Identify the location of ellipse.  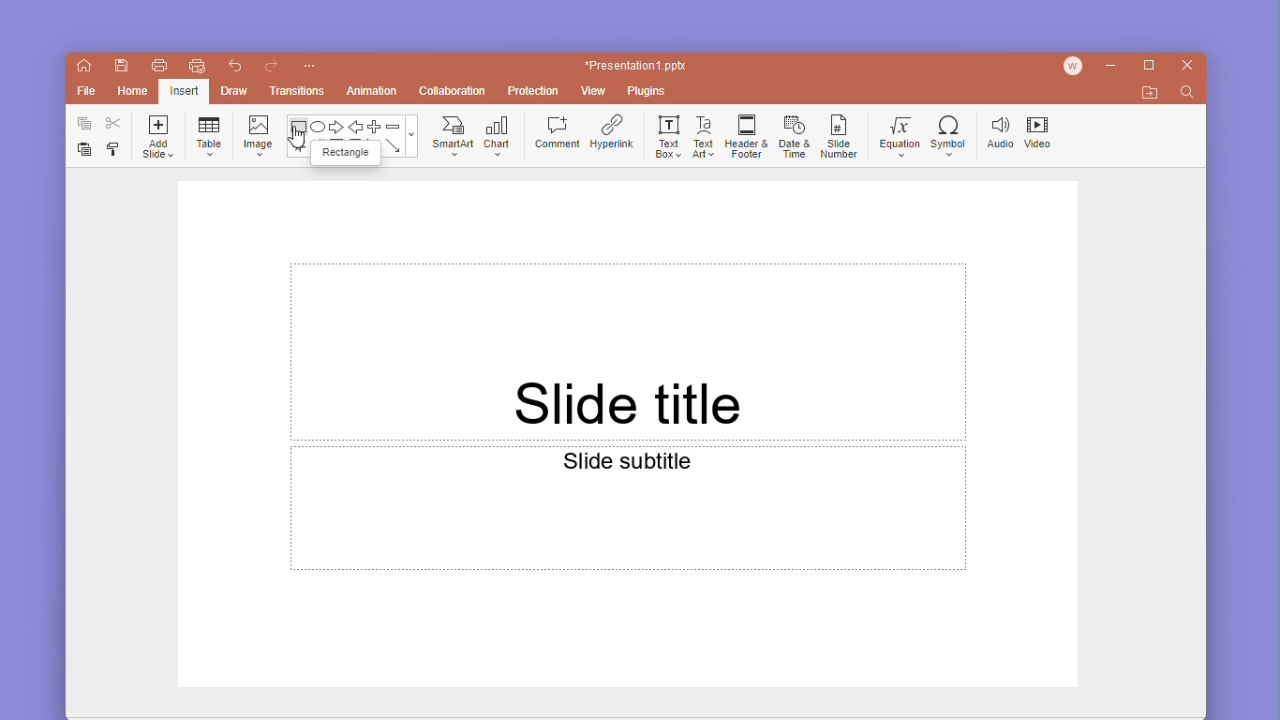
(318, 127).